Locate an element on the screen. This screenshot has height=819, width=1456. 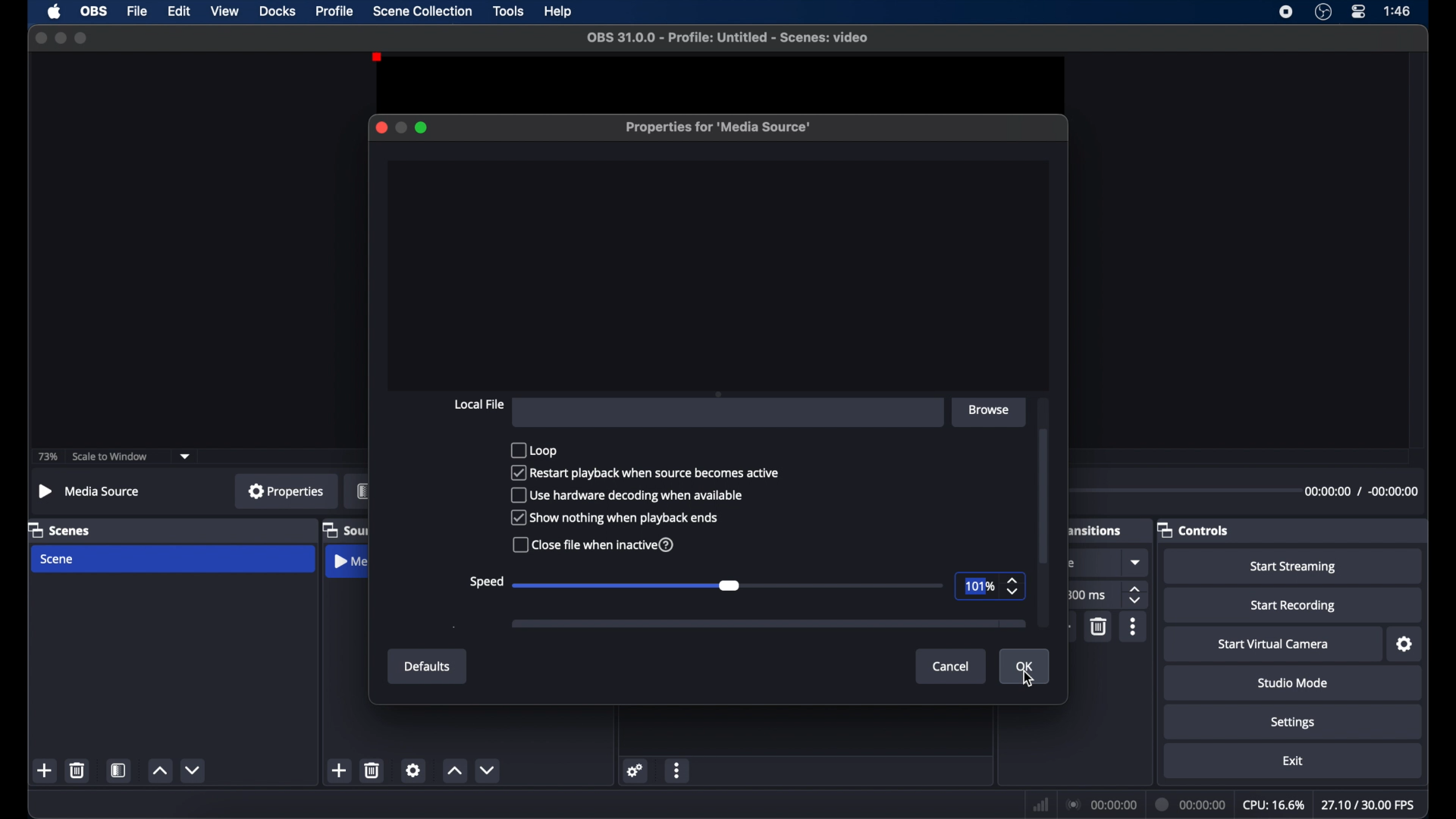
network is located at coordinates (1041, 806).